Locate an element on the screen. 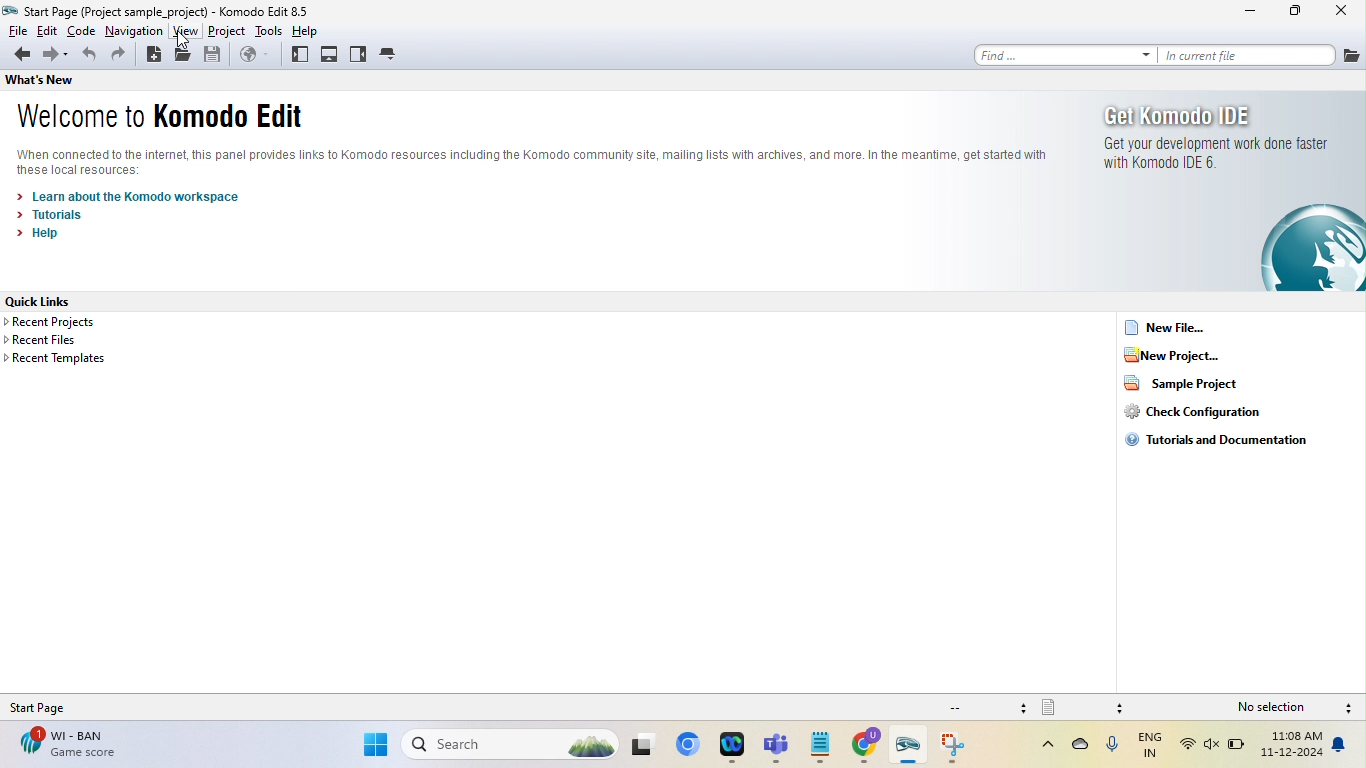 The image size is (1366, 768). new file is located at coordinates (1170, 327).